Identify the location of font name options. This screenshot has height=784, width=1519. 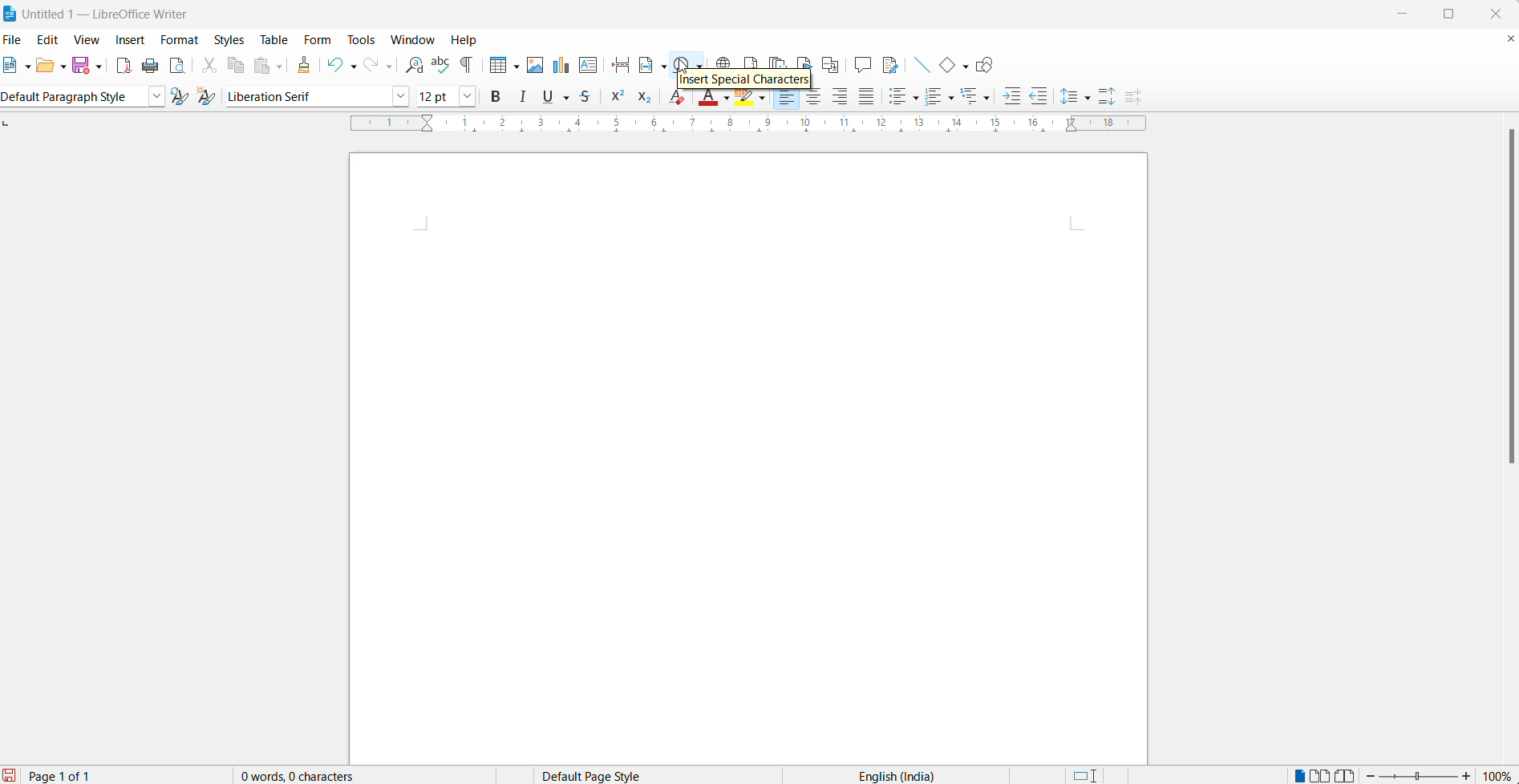
(401, 96).